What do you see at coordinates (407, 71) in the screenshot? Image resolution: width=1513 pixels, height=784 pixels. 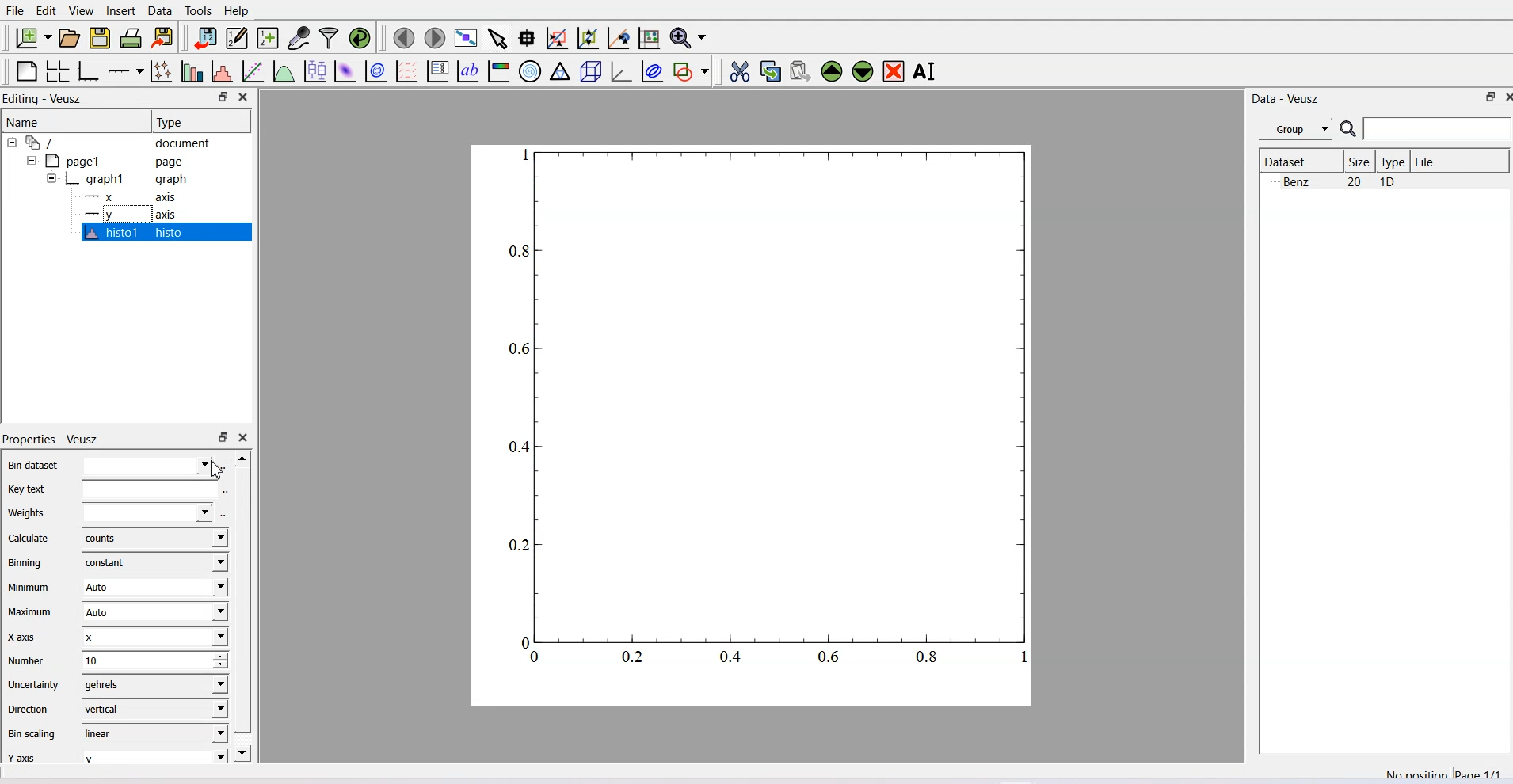 I see `Plot a vector field` at bounding box center [407, 71].